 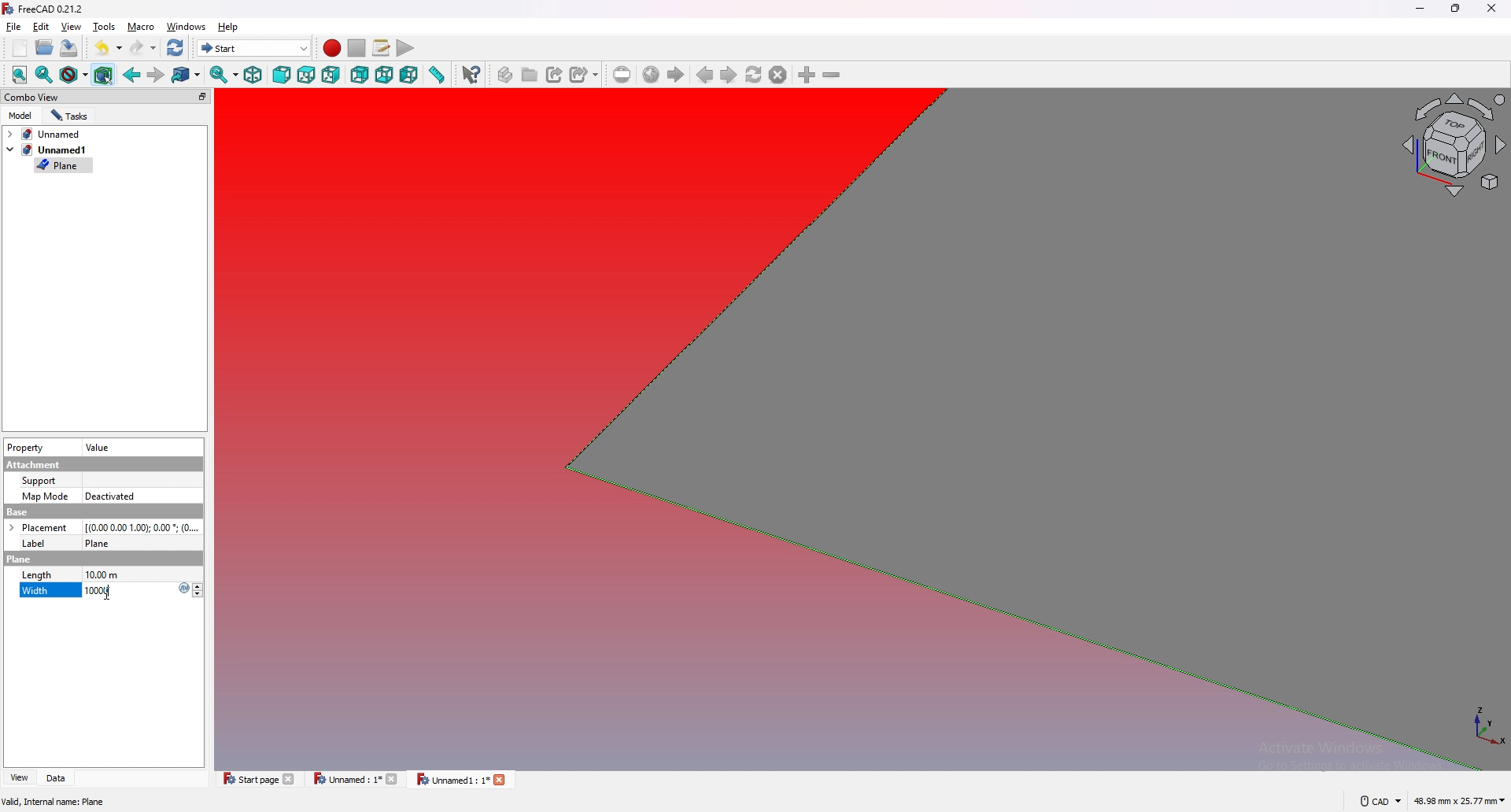 What do you see at coordinates (406, 48) in the screenshot?
I see `execute macro` at bounding box center [406, 48].